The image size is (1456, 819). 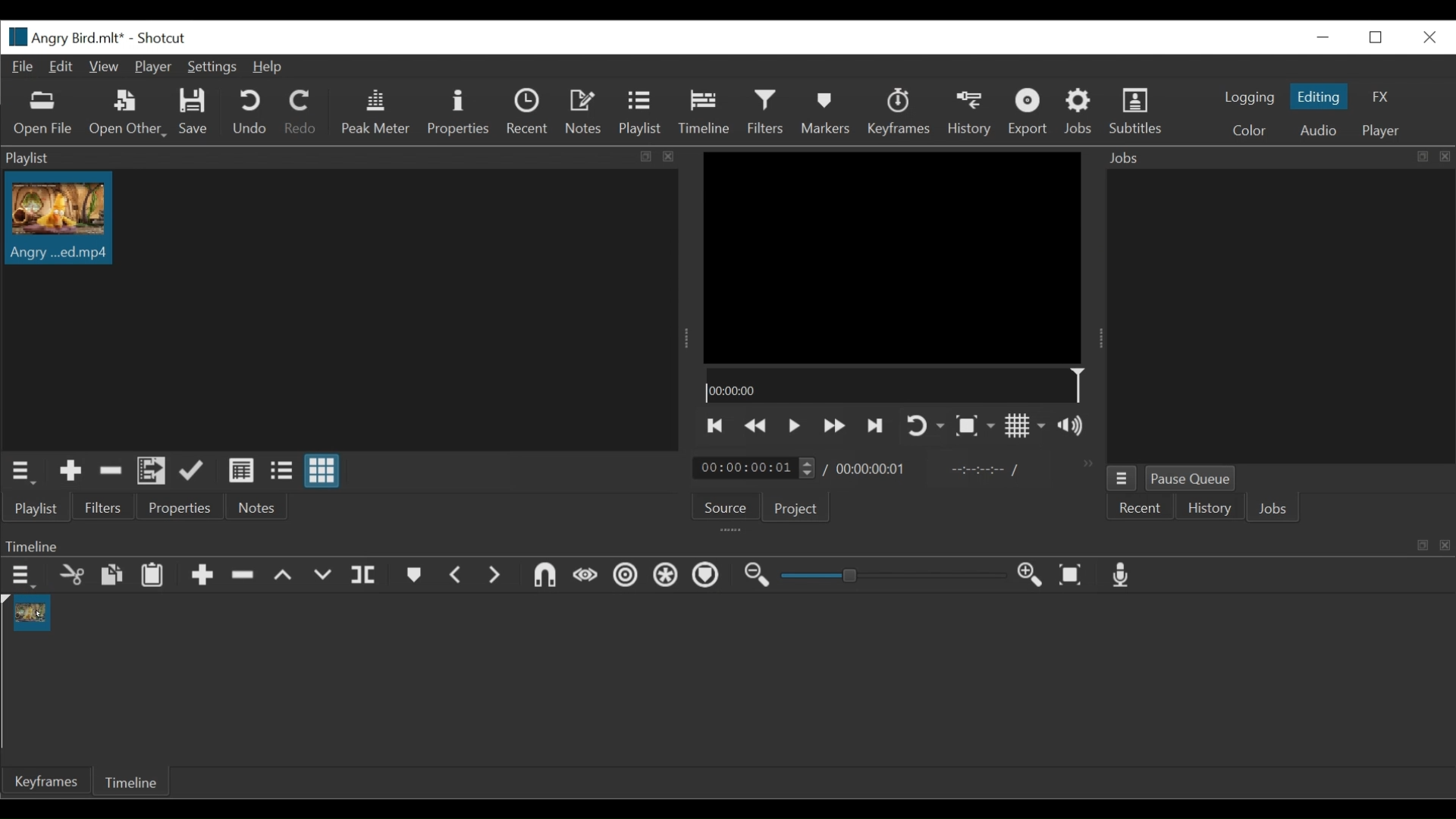 I want to click on Append, so click(x=203, y=576).